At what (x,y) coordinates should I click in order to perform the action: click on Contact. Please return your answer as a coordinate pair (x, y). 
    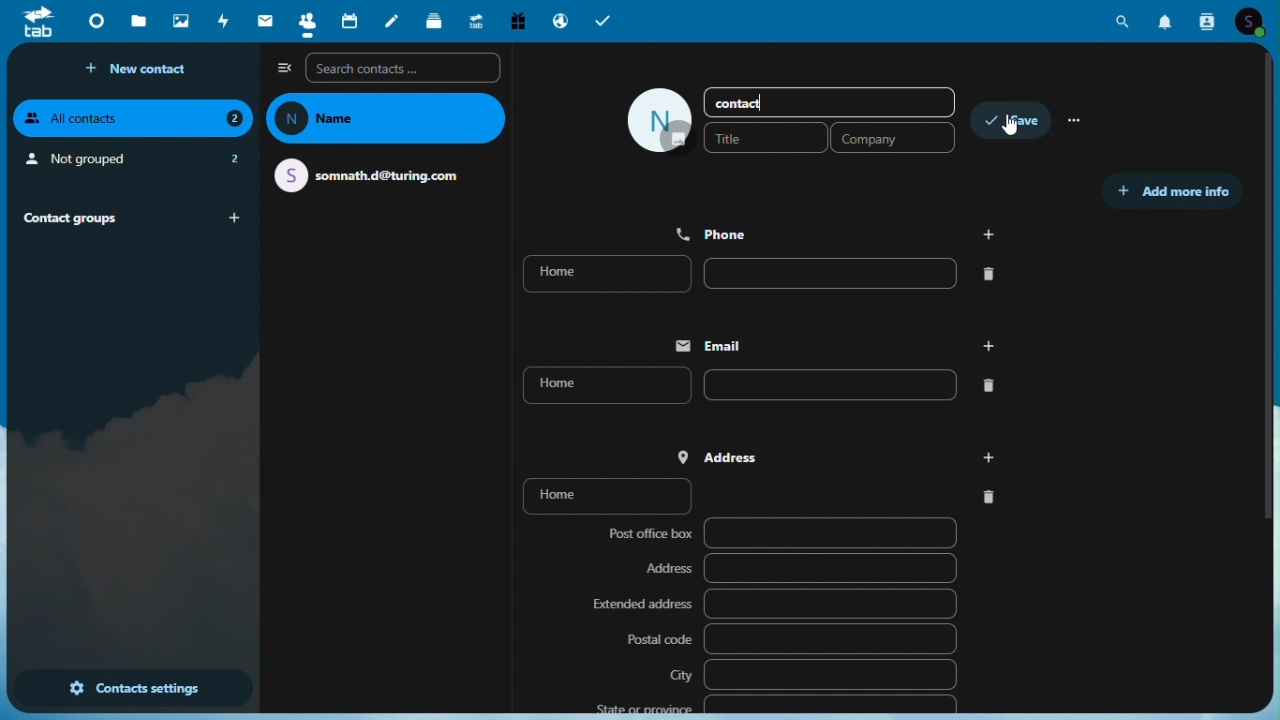
    Looking at the image, I should click on (757, 101).